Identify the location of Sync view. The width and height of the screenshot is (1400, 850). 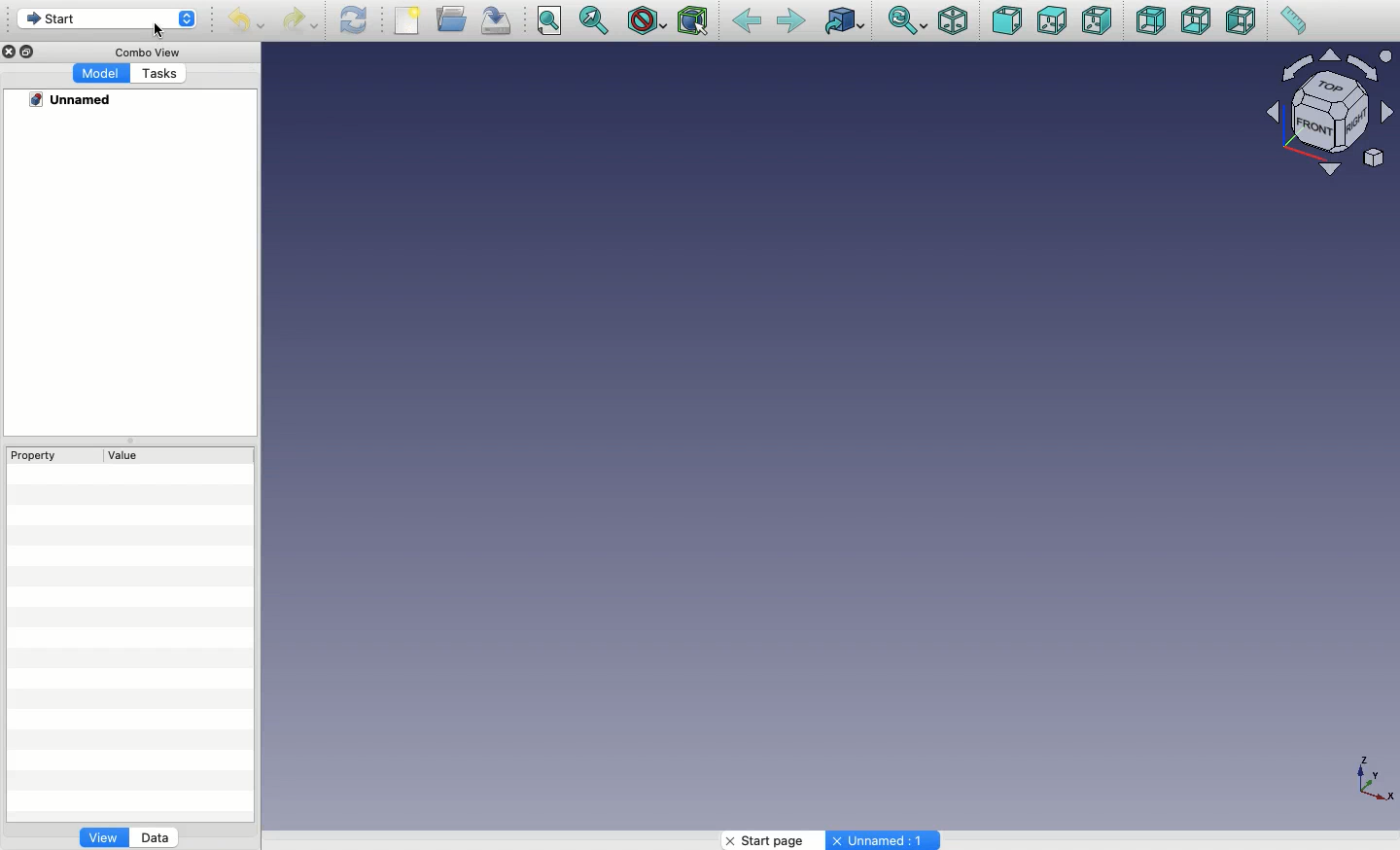
(907, 20).